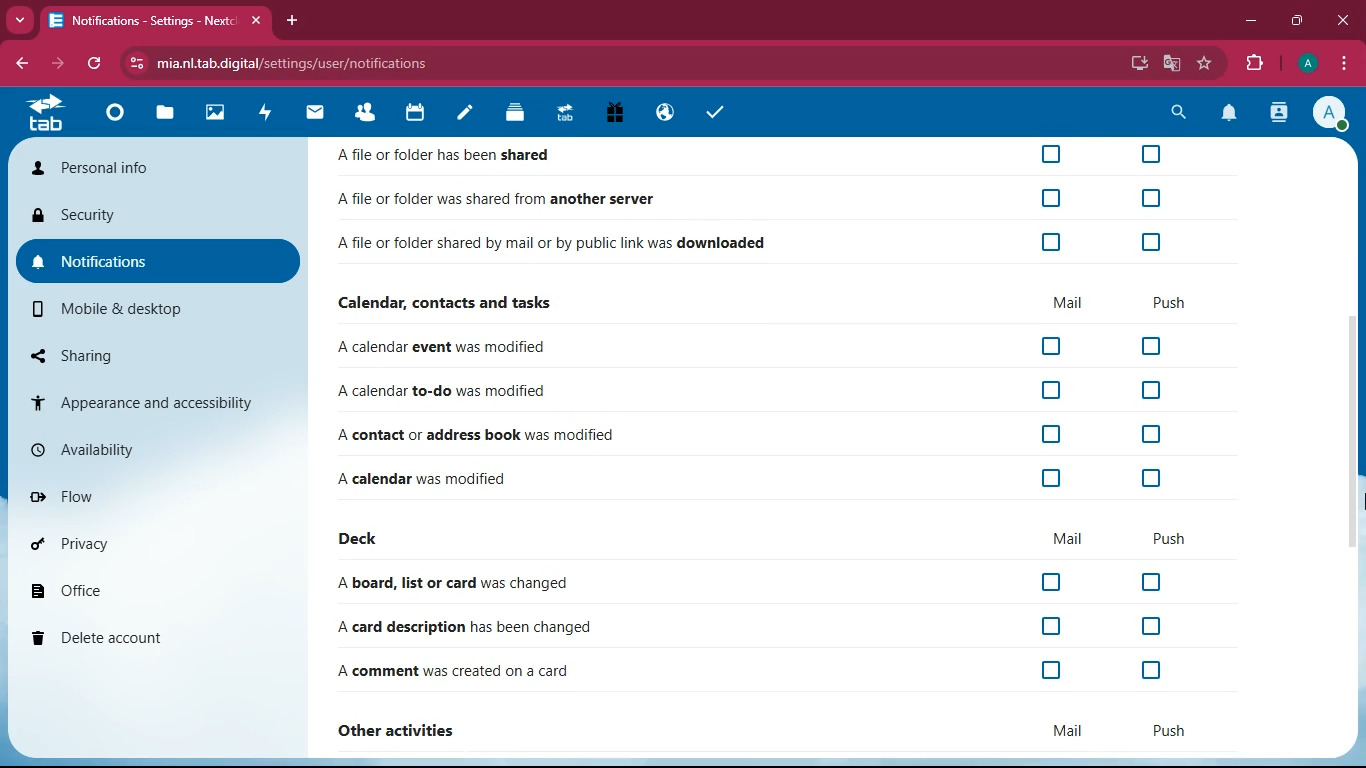 Image resolution: width=1366 pixels, height=768 pixels. Describe the element at coordinates (366, 114) in the screenshot. I see `Contacts` at that location.